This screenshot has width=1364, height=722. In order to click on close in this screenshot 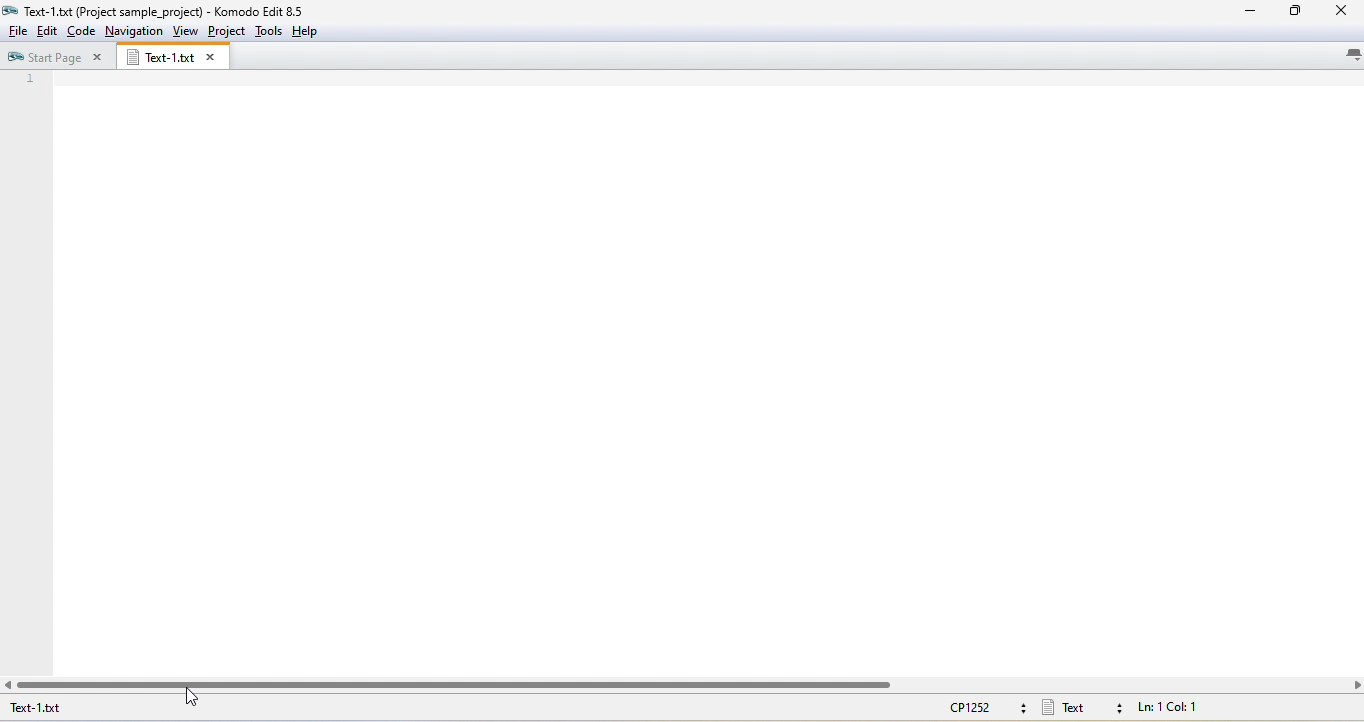, I will do `click(1344, 11)`.